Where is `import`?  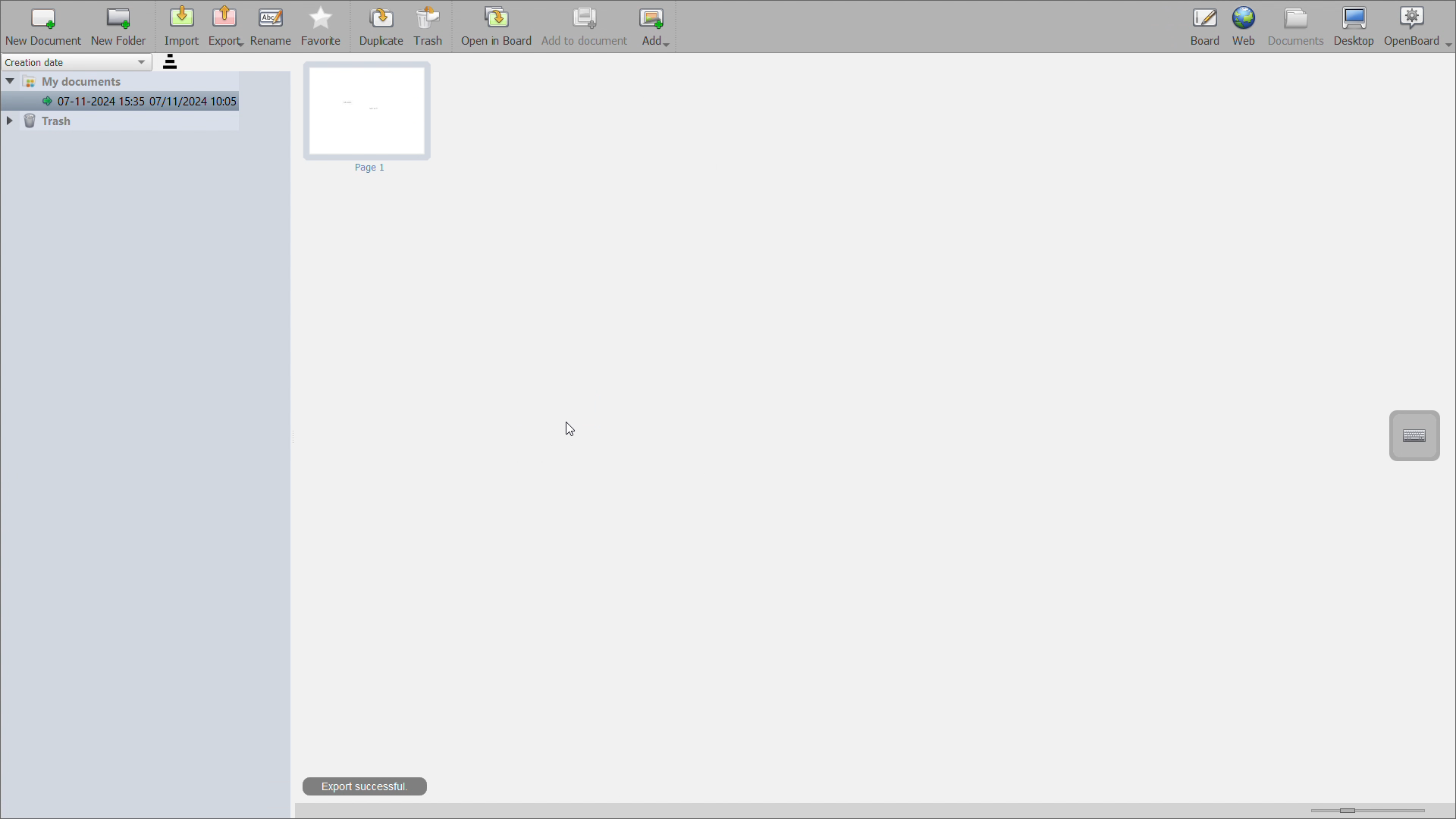 import is located at coordinates (181, 27).